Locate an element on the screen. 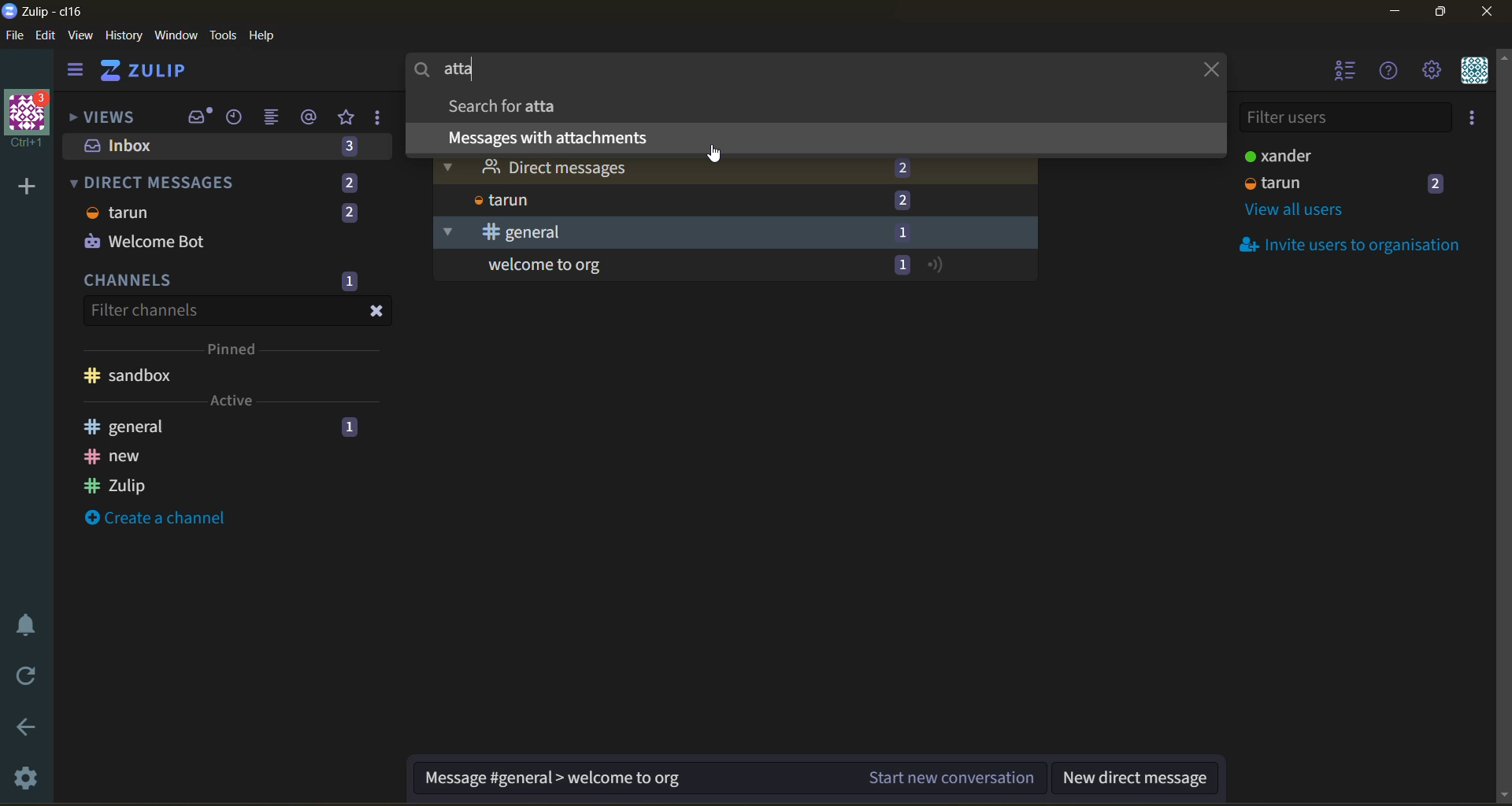  tarun is located at coordinates (498, 200).